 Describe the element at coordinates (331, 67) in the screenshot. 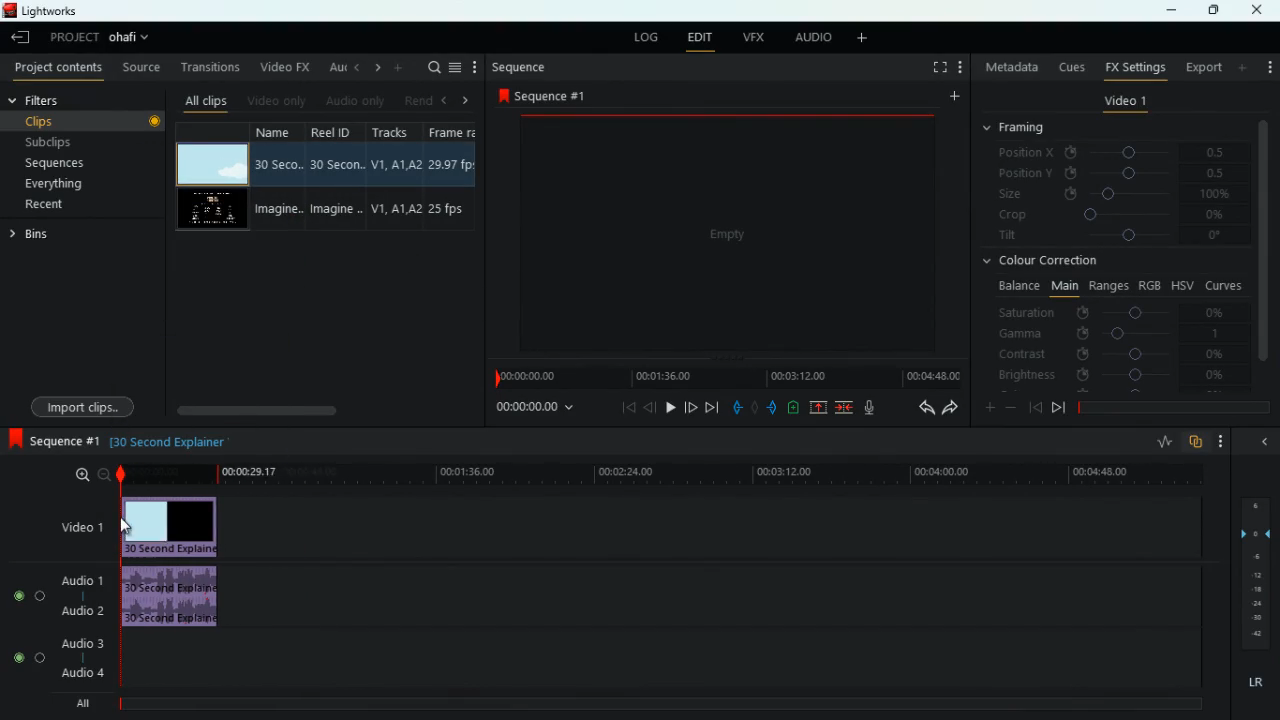

I see `au` at that location.